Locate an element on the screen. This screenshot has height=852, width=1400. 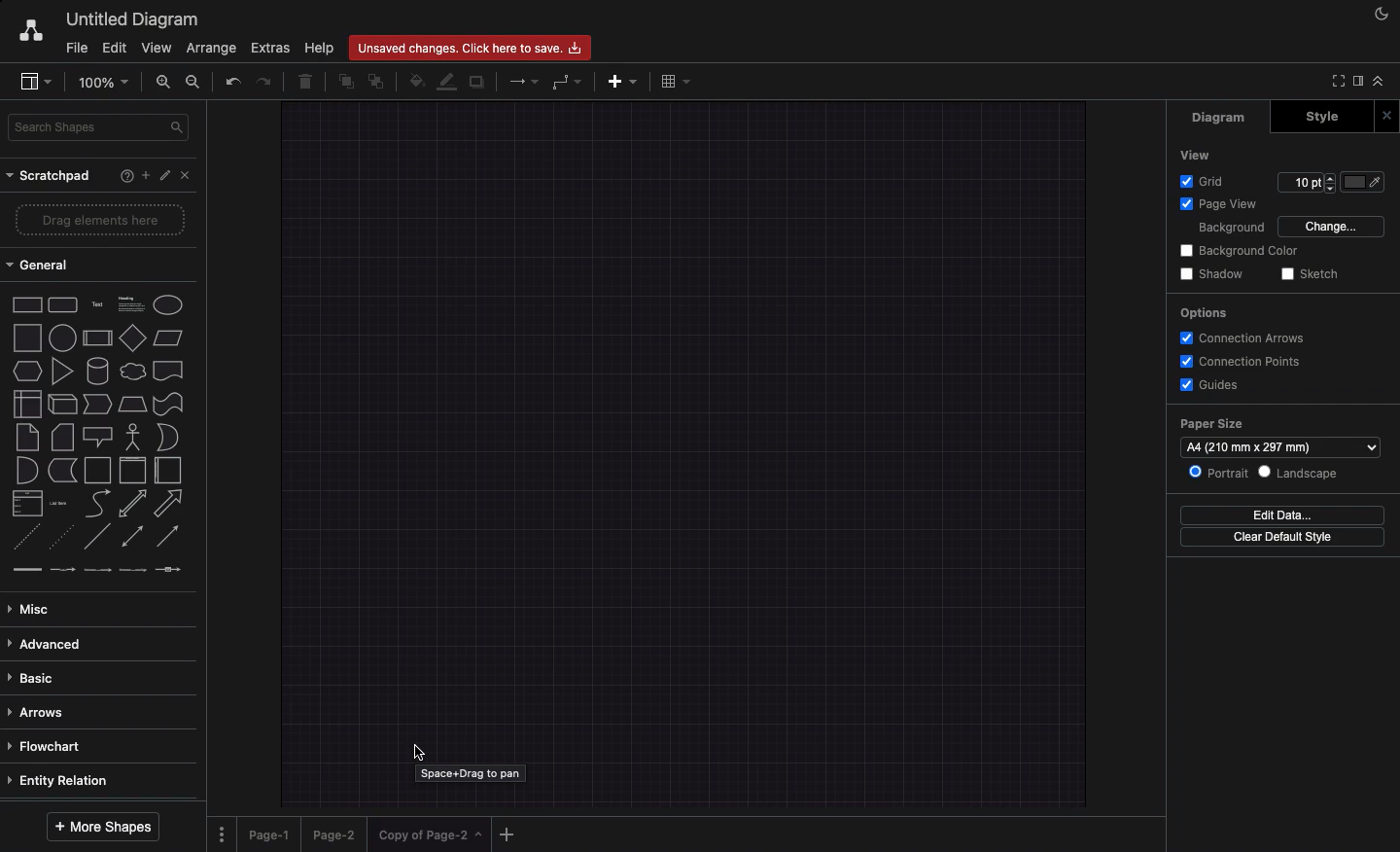
Page 1 is located at coordinates (271, 832).